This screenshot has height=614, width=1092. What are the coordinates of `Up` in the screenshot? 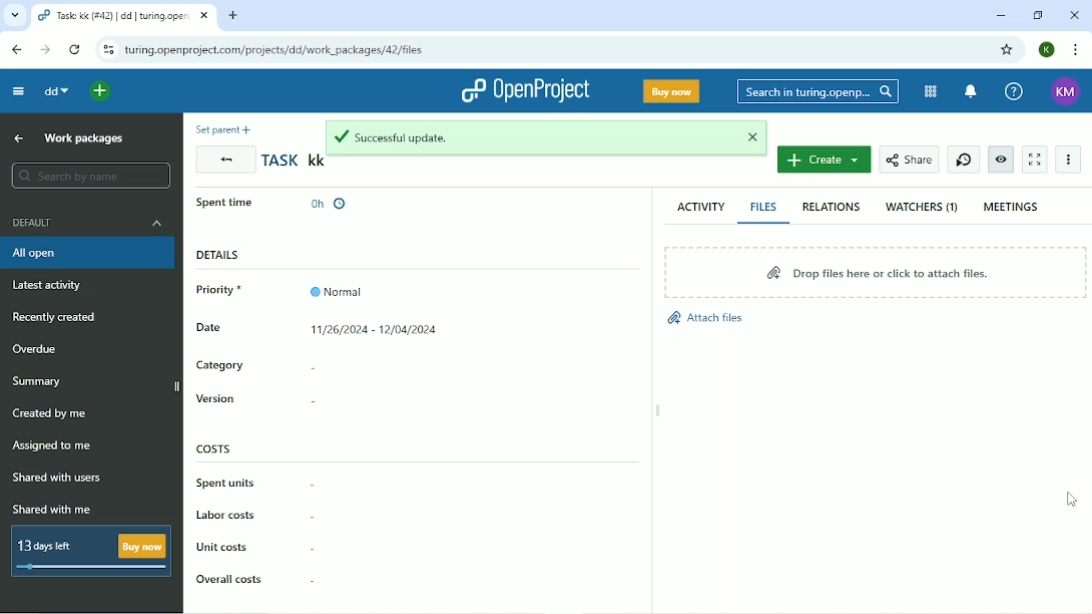 It's located at (19, 138).